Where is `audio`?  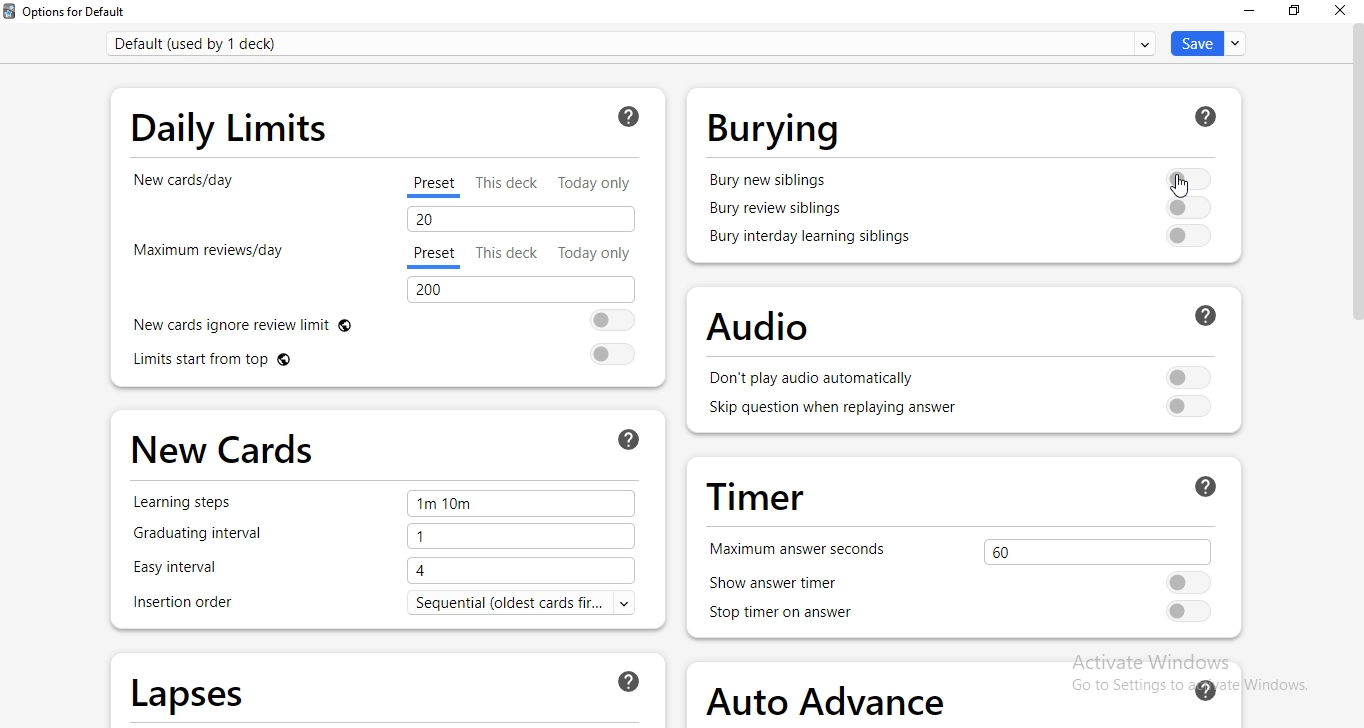
audio is located at coordinates (748, 324).